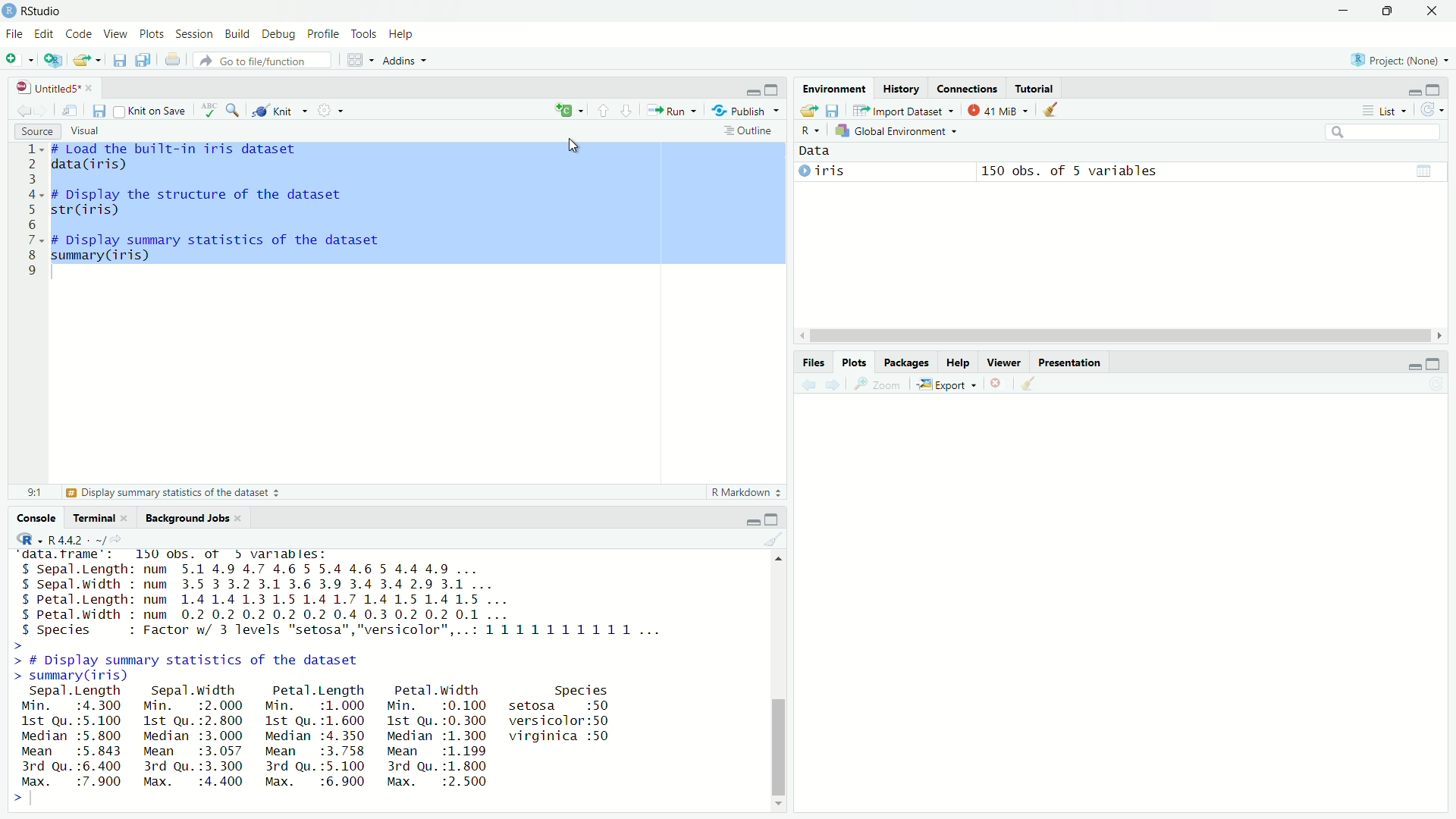 The width and height of the screenshot is (1456, 819). What do you see at coordinates (776, 537) in the screenshot?
I see `Clear` at bounding box center [776, 537].